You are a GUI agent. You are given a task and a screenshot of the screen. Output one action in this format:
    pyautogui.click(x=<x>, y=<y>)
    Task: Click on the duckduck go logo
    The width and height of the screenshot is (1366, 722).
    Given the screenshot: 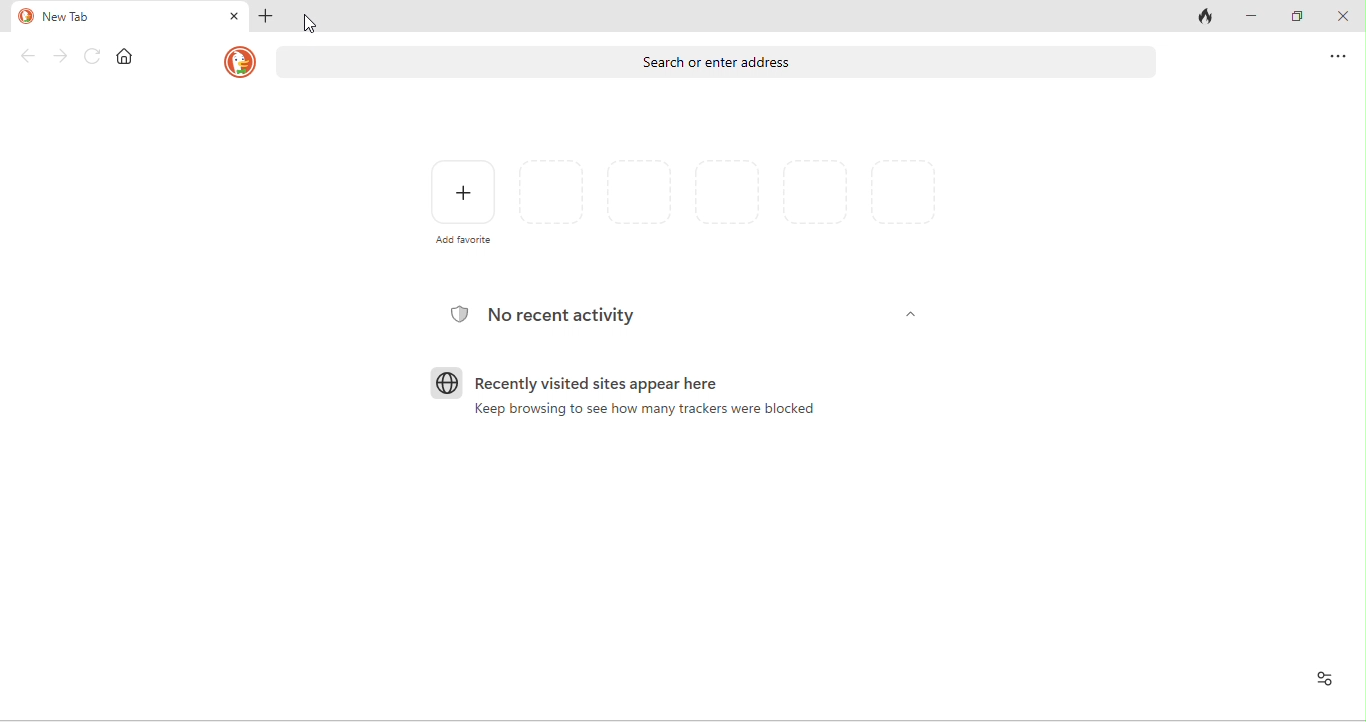 What is the action you would take?
    pyautogui.click(x=239, y=63)
    